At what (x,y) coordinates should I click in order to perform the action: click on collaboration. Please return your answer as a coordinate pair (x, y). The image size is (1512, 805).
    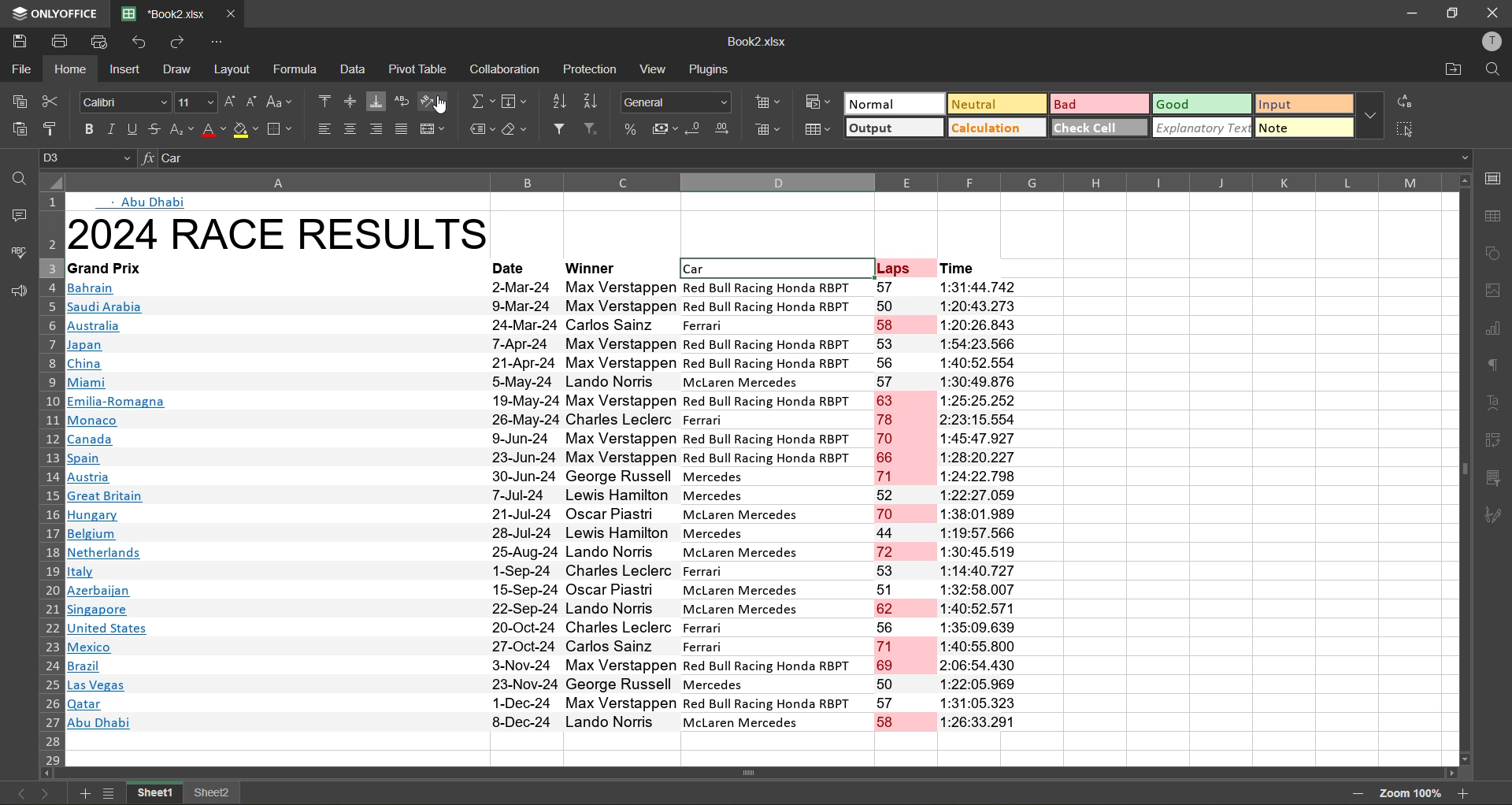
    Looking at the image, I should click on (502, 70).